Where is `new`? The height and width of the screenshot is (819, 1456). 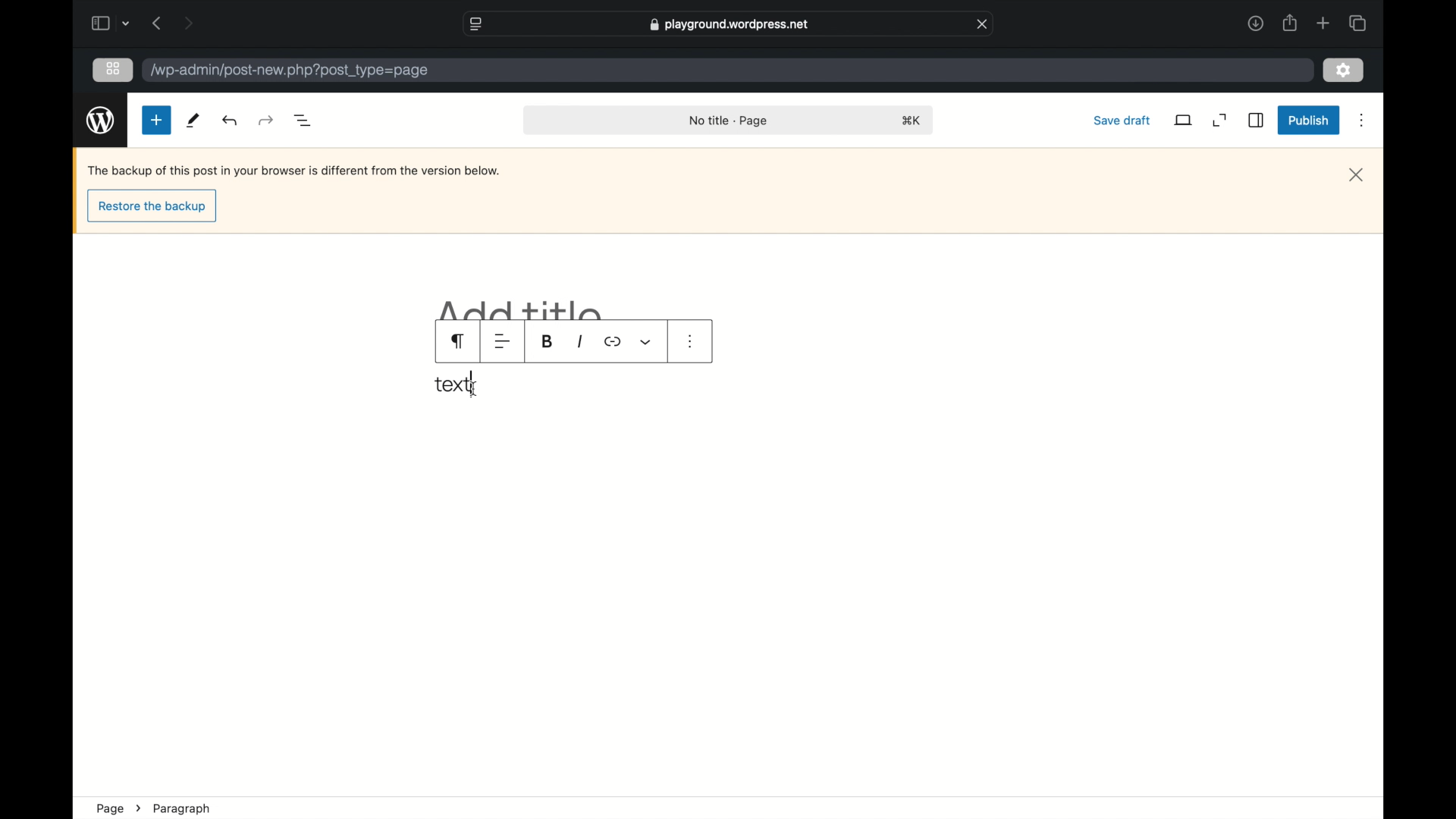 new is located at coordinates (156, 121).